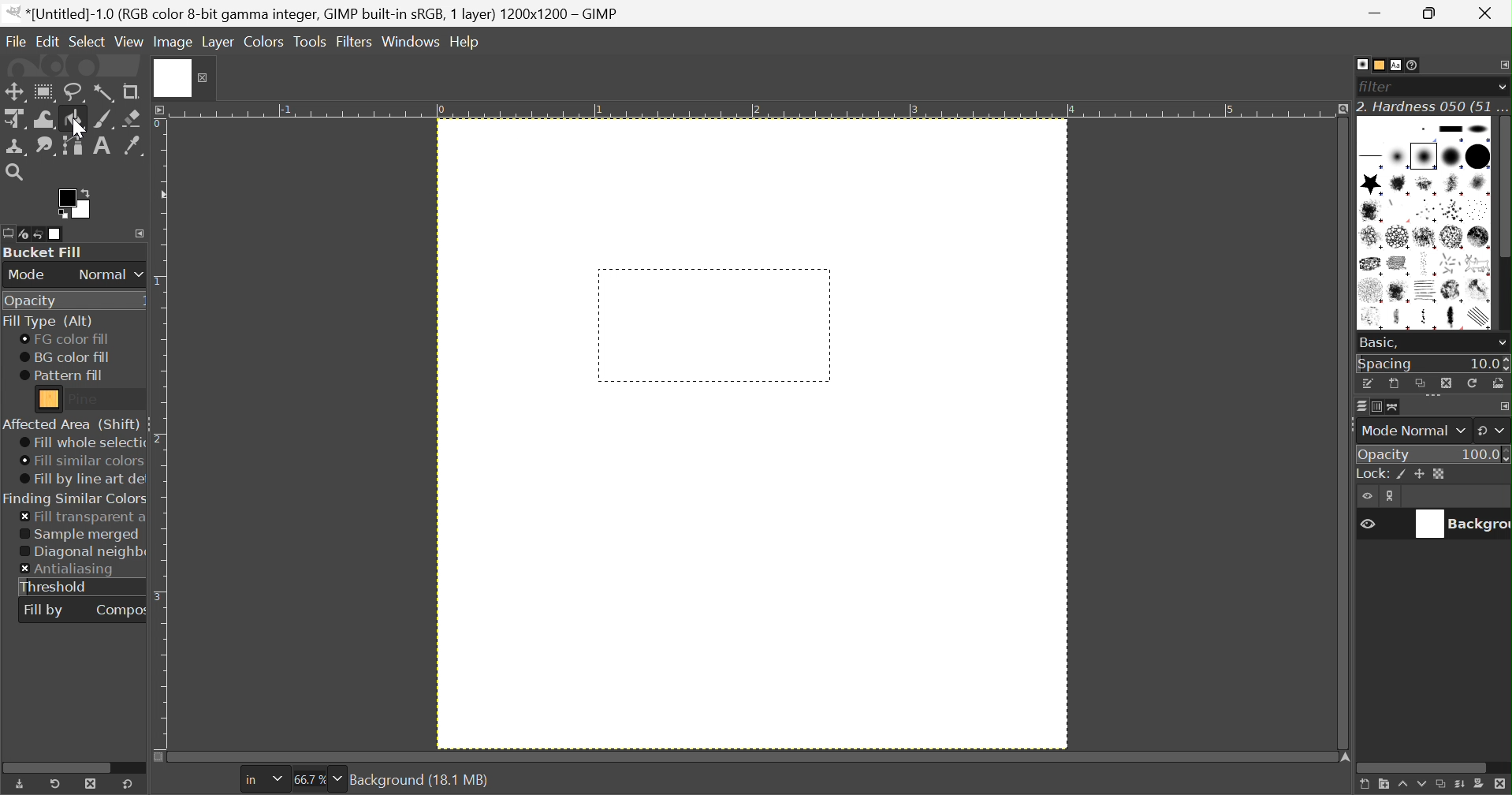  I want to click on Pencil, so click(1428, 319).